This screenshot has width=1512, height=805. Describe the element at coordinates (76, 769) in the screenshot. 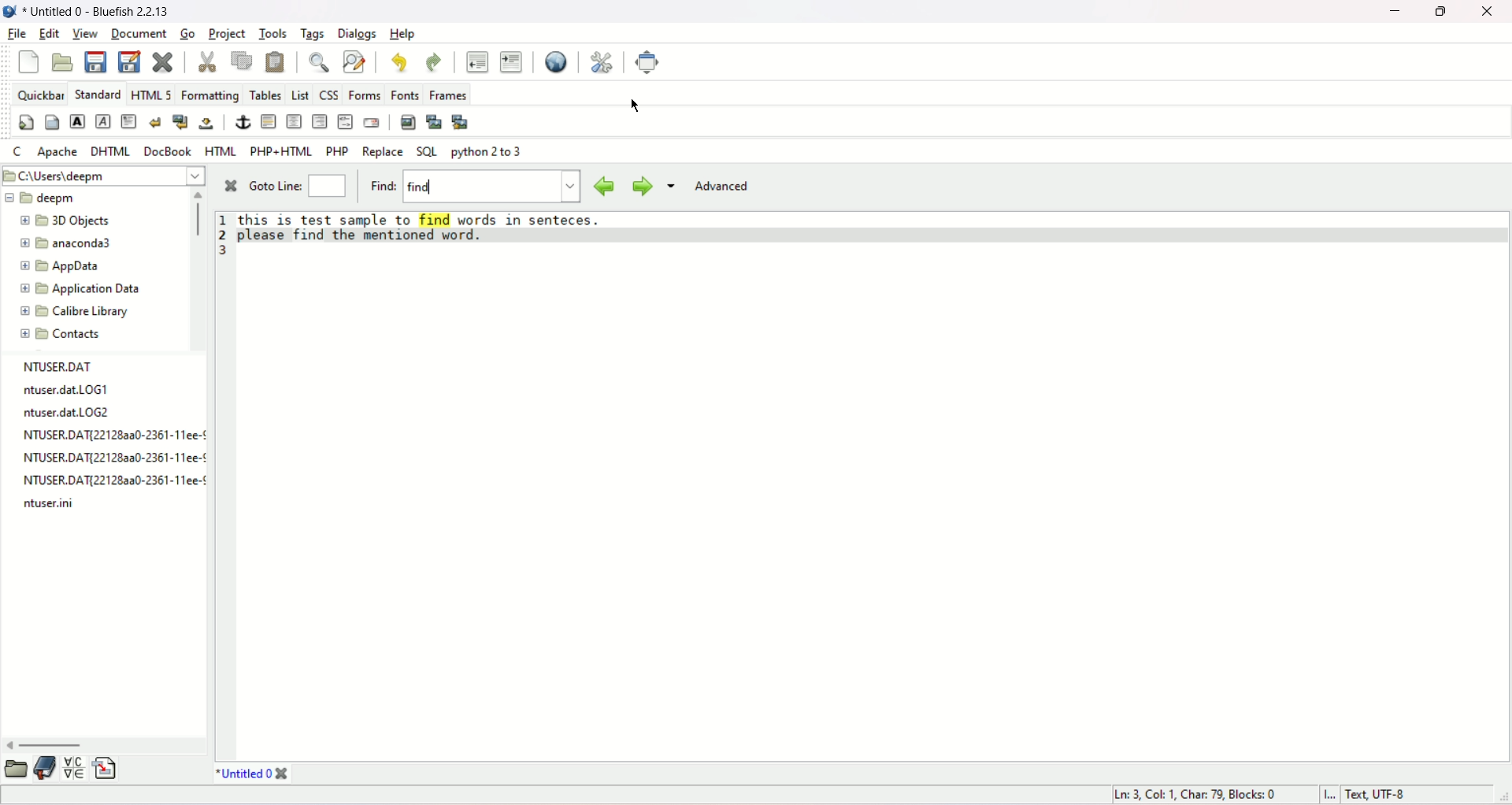

I see `insert special character` at that location.